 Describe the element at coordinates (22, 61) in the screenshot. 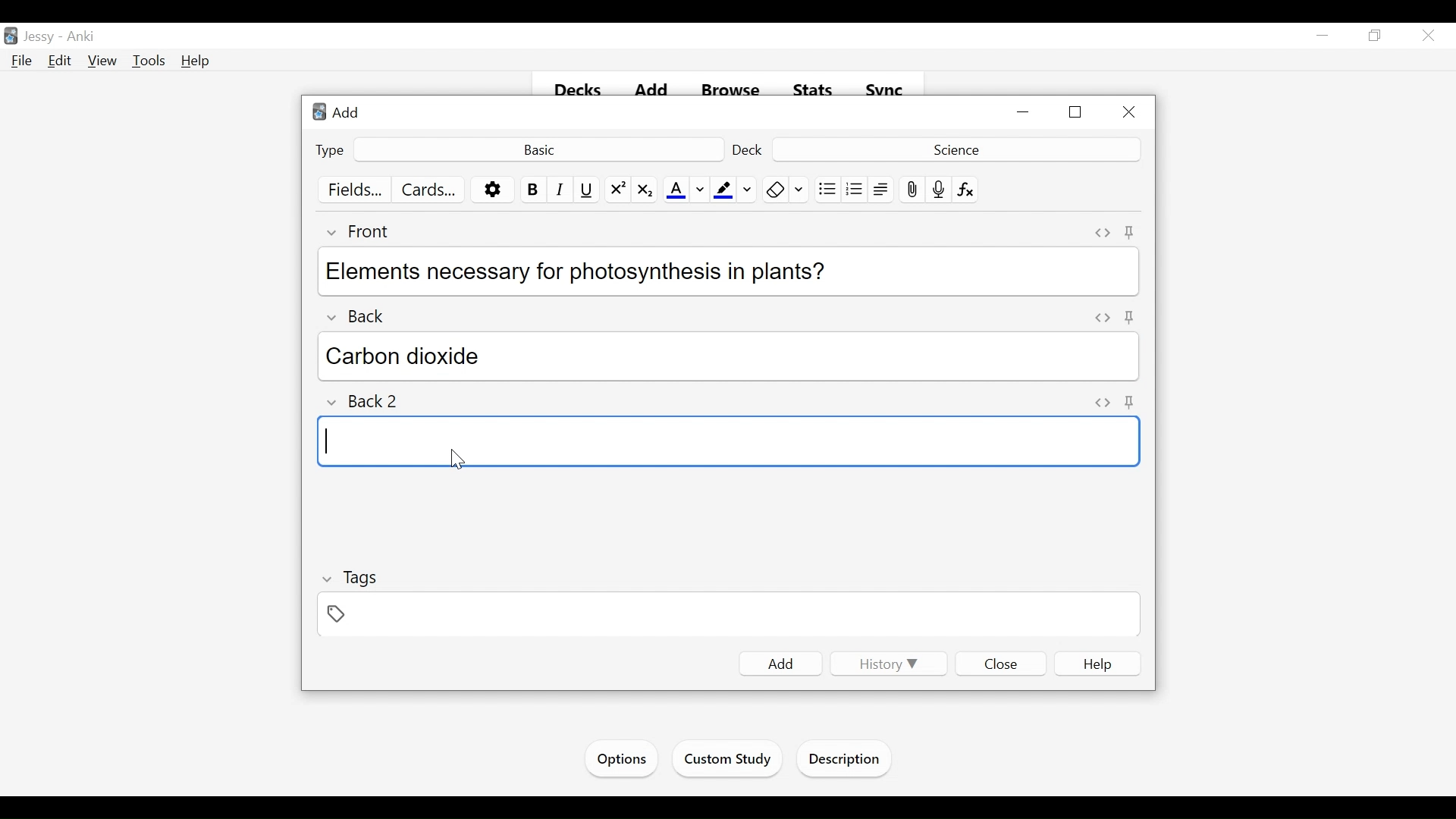

I see `File` at that location.